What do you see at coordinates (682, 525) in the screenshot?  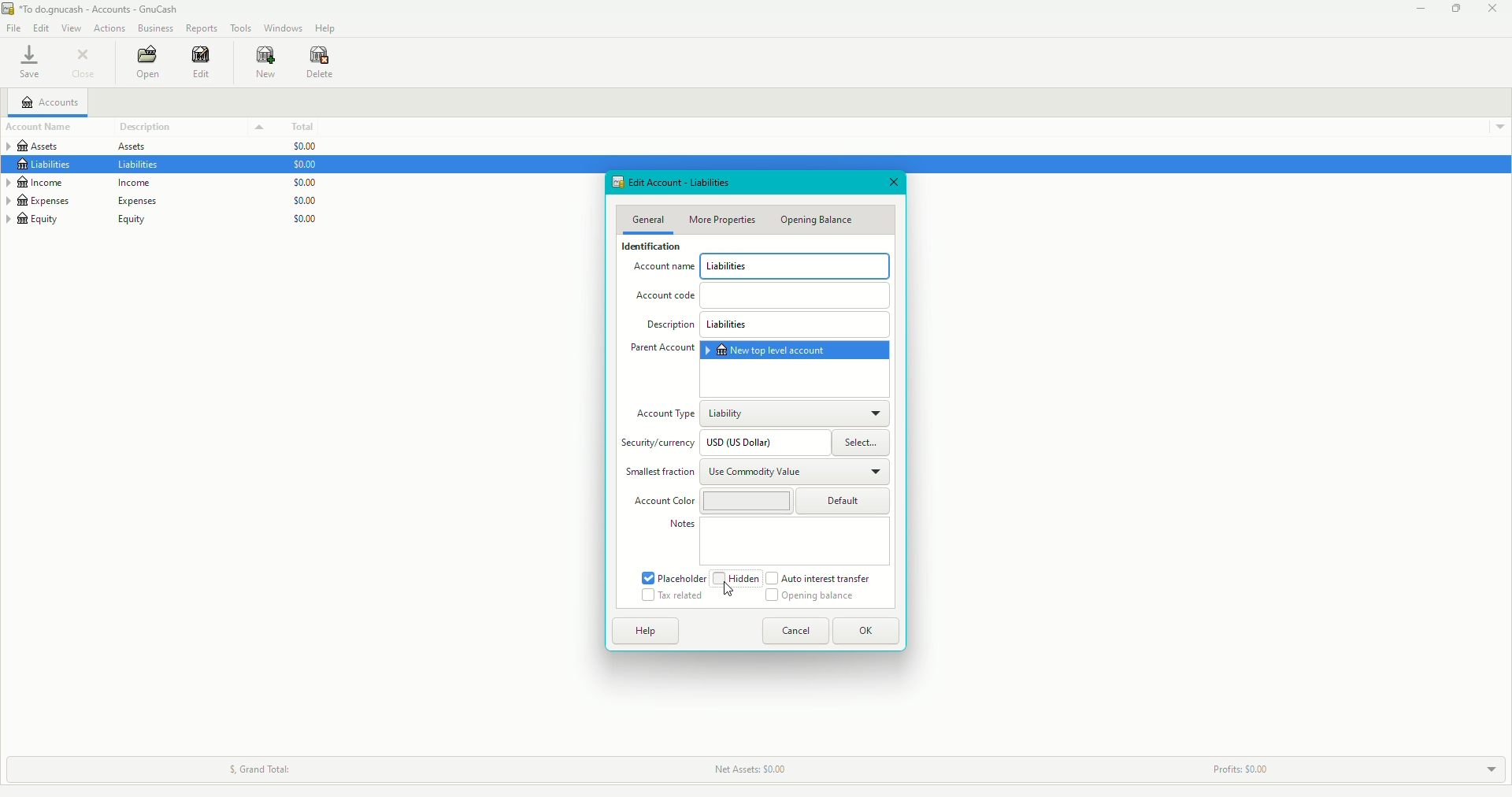 I see `Notes` at bounding box center [682, 525].